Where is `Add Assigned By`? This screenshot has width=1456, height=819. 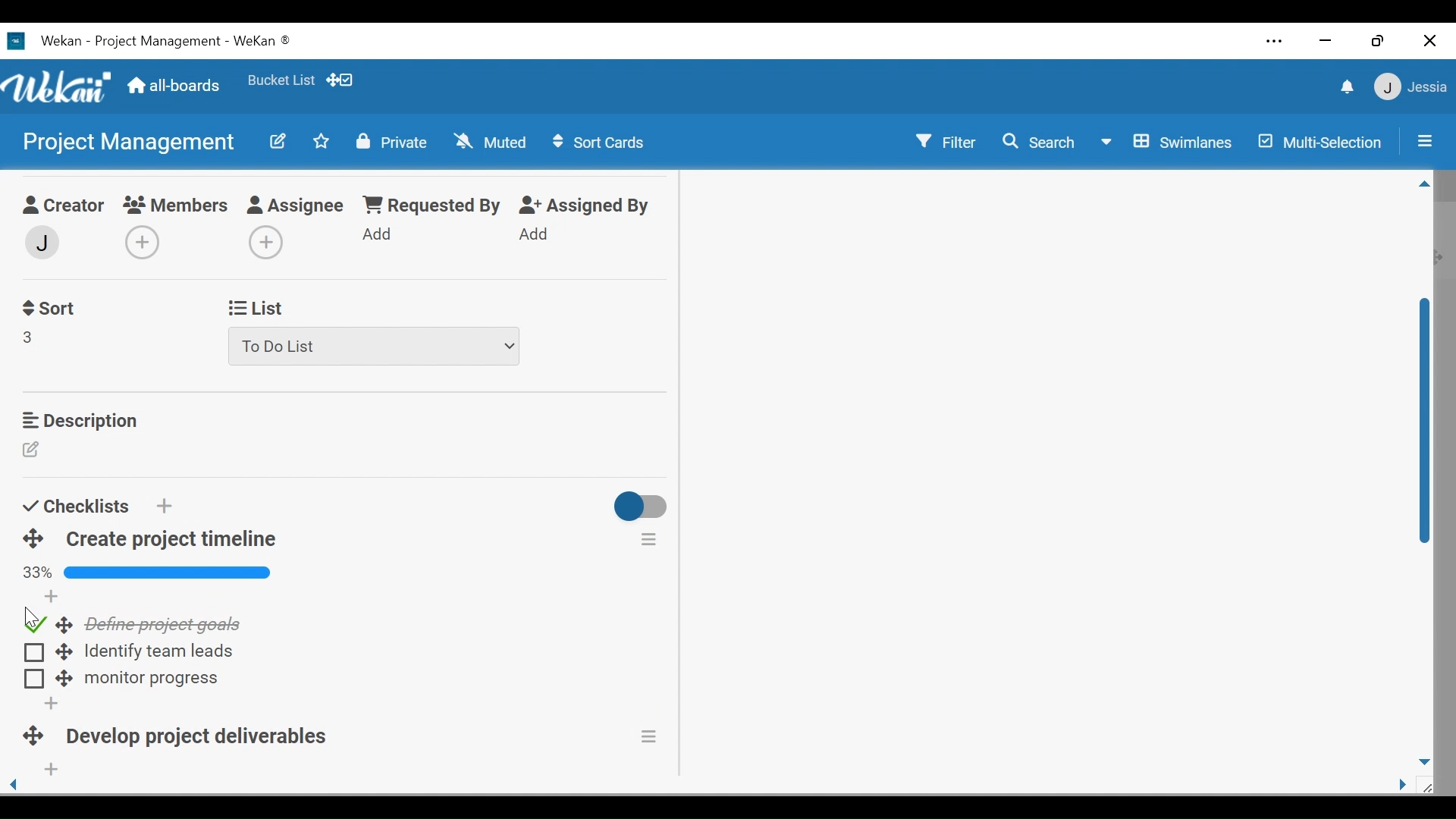 Add Assigned By is located at coordinates (535, 234).